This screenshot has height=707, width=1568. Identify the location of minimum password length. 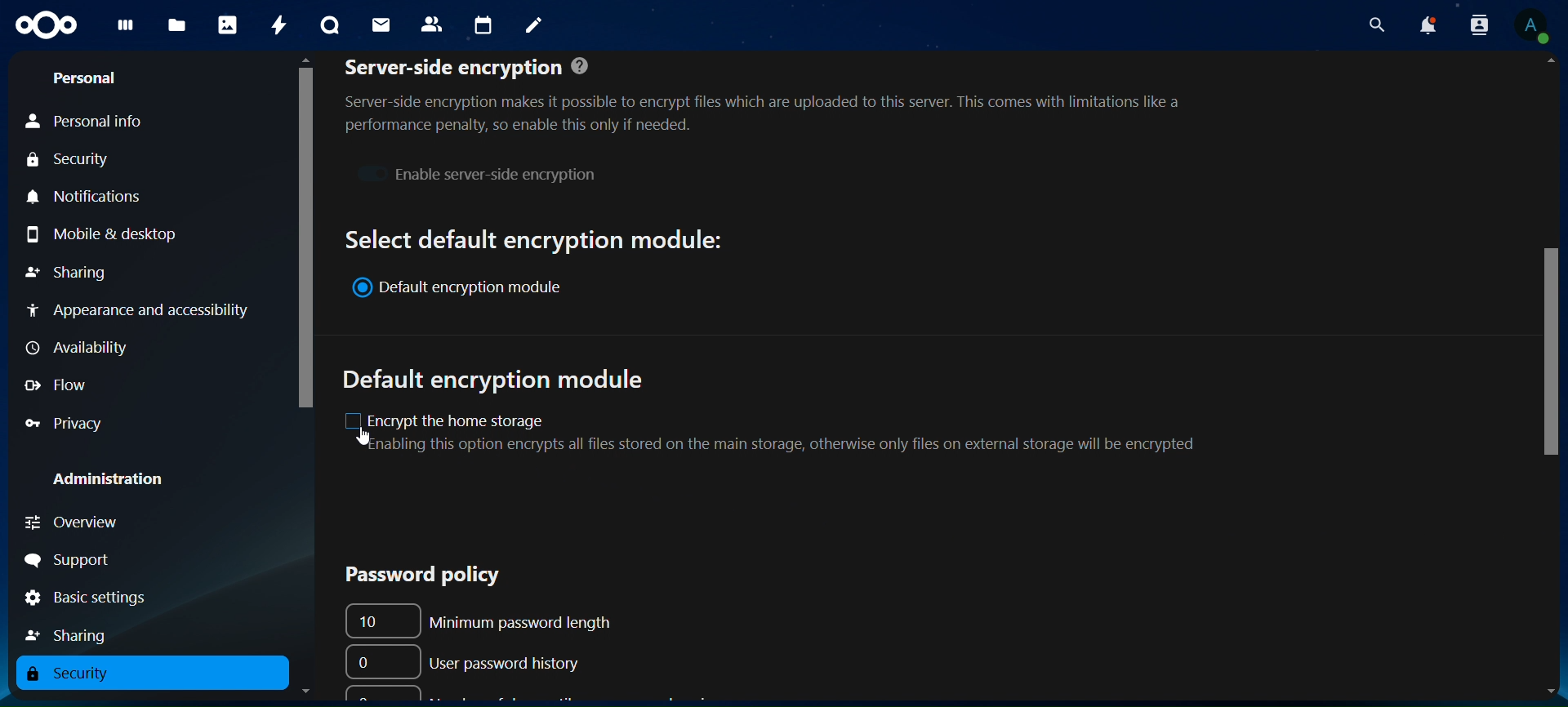
(491, 619).